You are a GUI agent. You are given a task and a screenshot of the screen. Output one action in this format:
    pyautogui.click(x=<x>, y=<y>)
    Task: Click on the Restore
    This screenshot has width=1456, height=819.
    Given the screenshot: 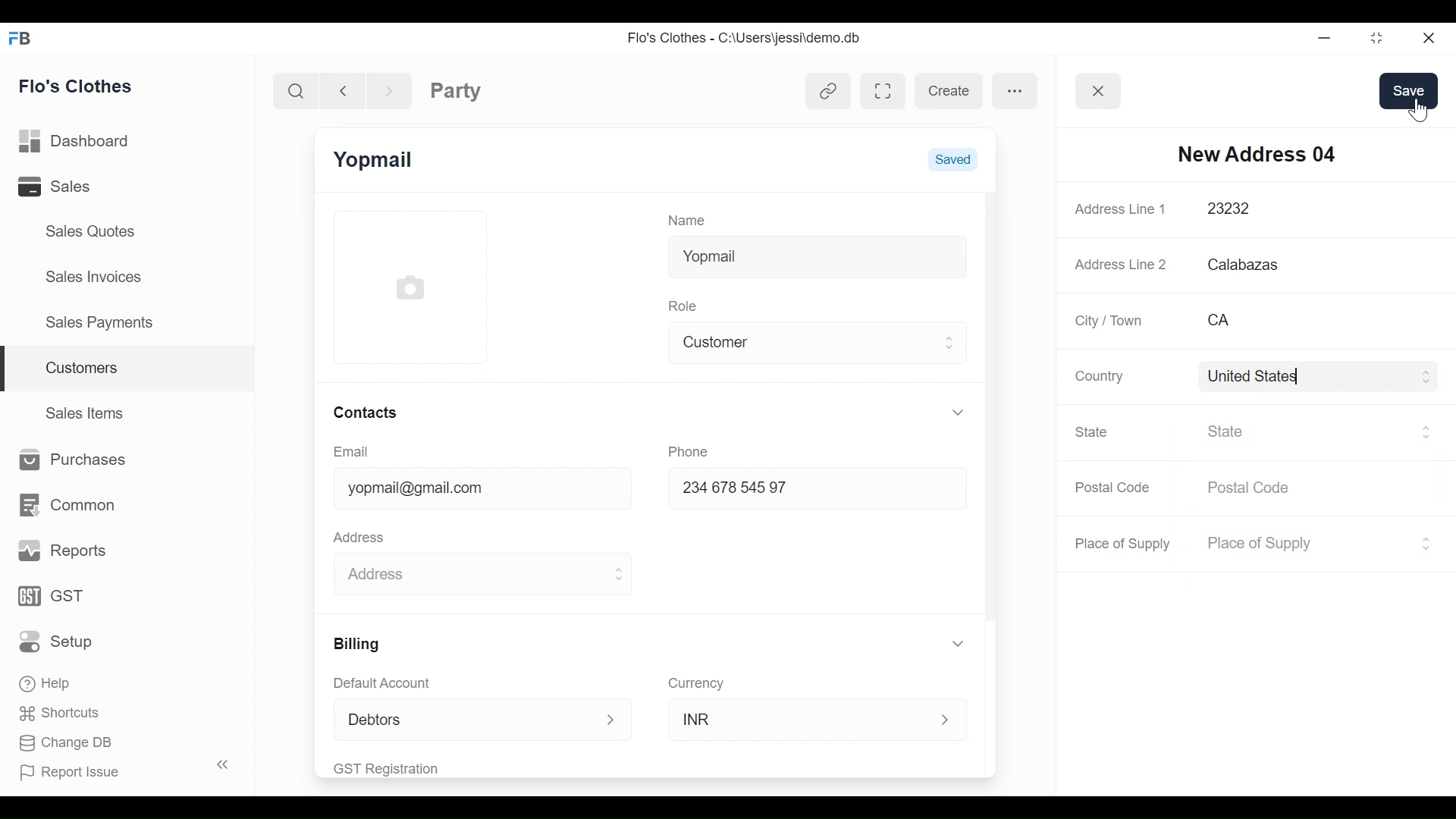 What is the action you would take?
    pyautogui.click(x=1372, y=38)
    